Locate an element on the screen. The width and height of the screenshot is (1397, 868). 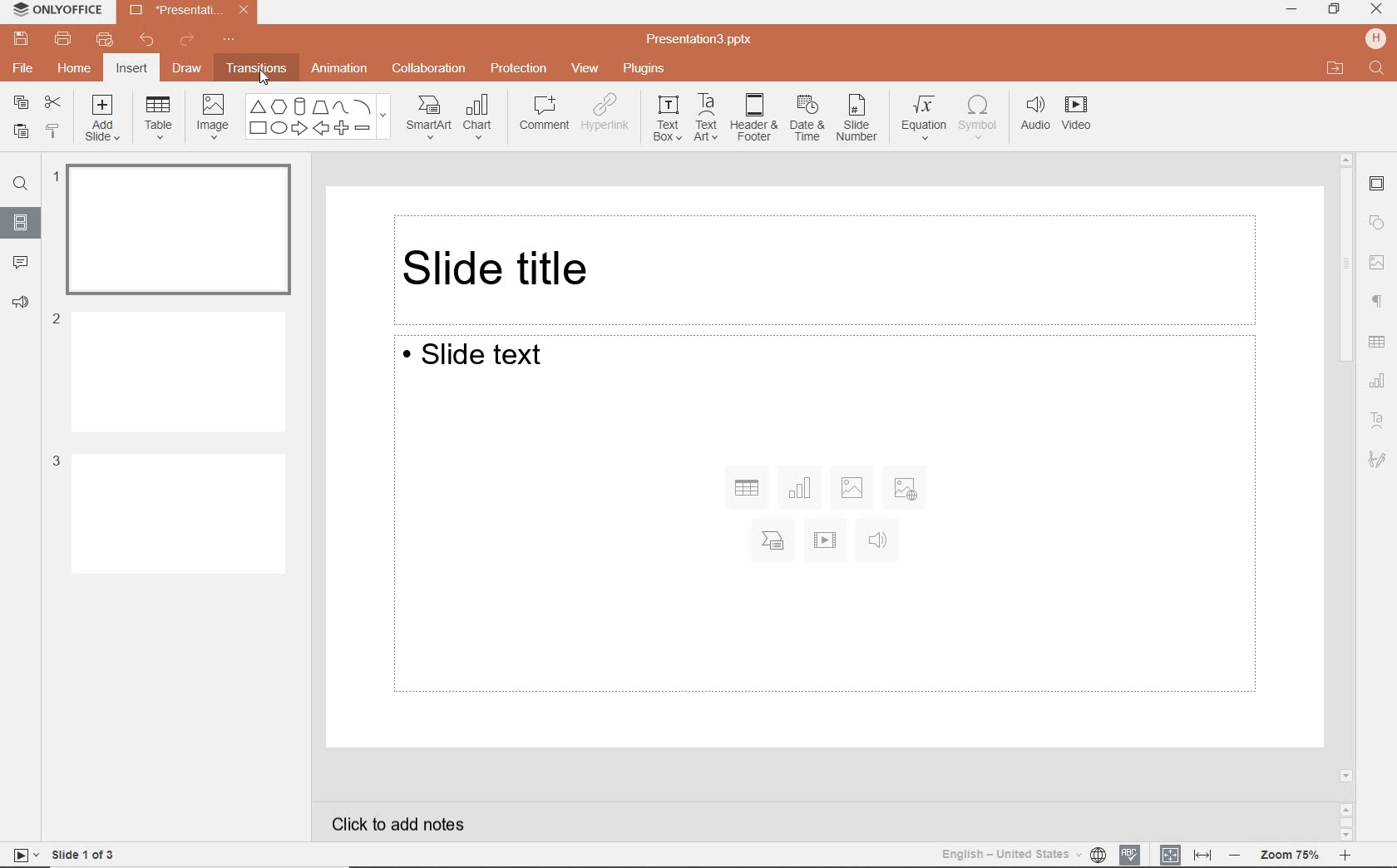
RESTORE is located at coordinates (1335, 10).